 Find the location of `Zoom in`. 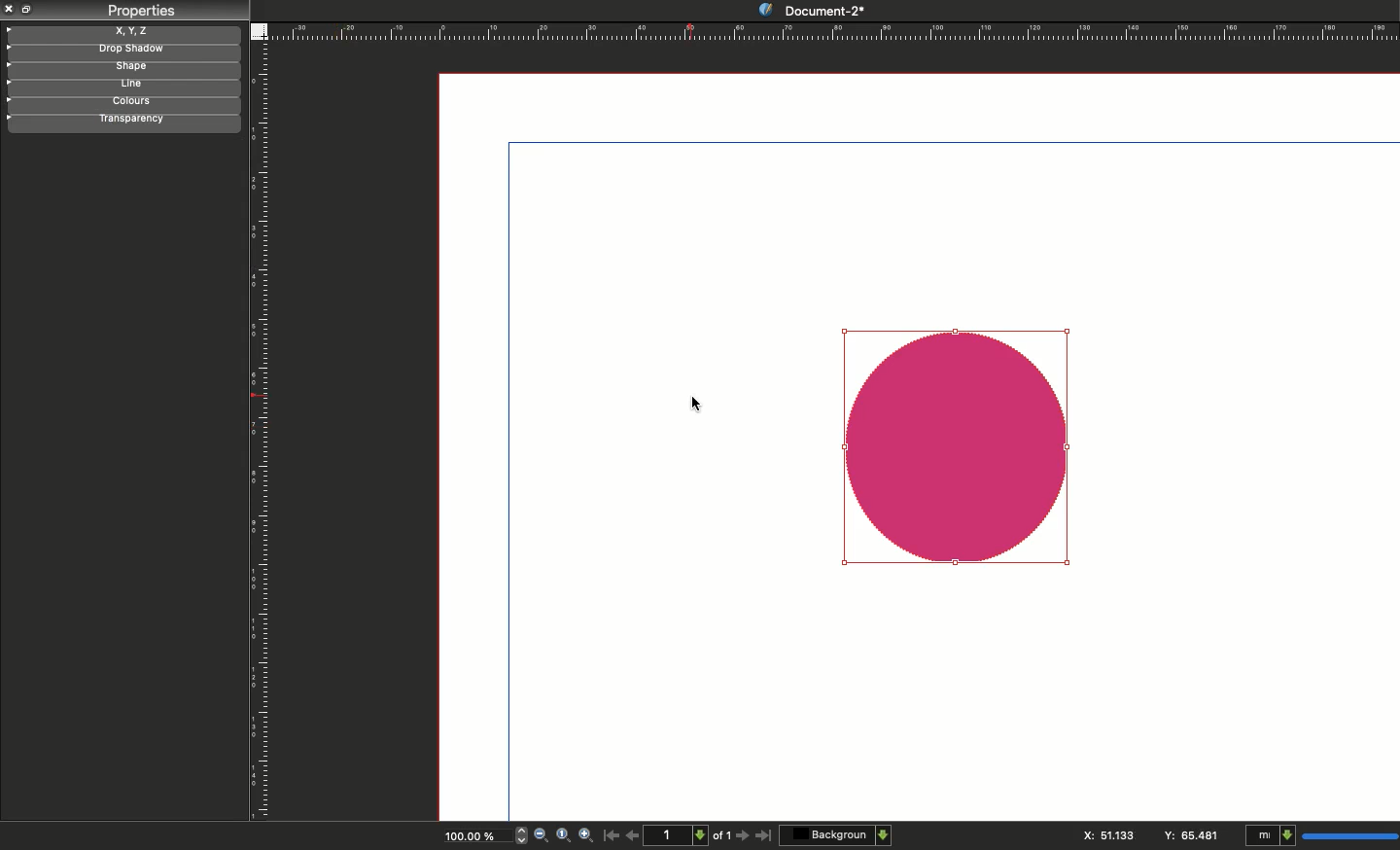

Zoom in is located at coordinates (587, 836).